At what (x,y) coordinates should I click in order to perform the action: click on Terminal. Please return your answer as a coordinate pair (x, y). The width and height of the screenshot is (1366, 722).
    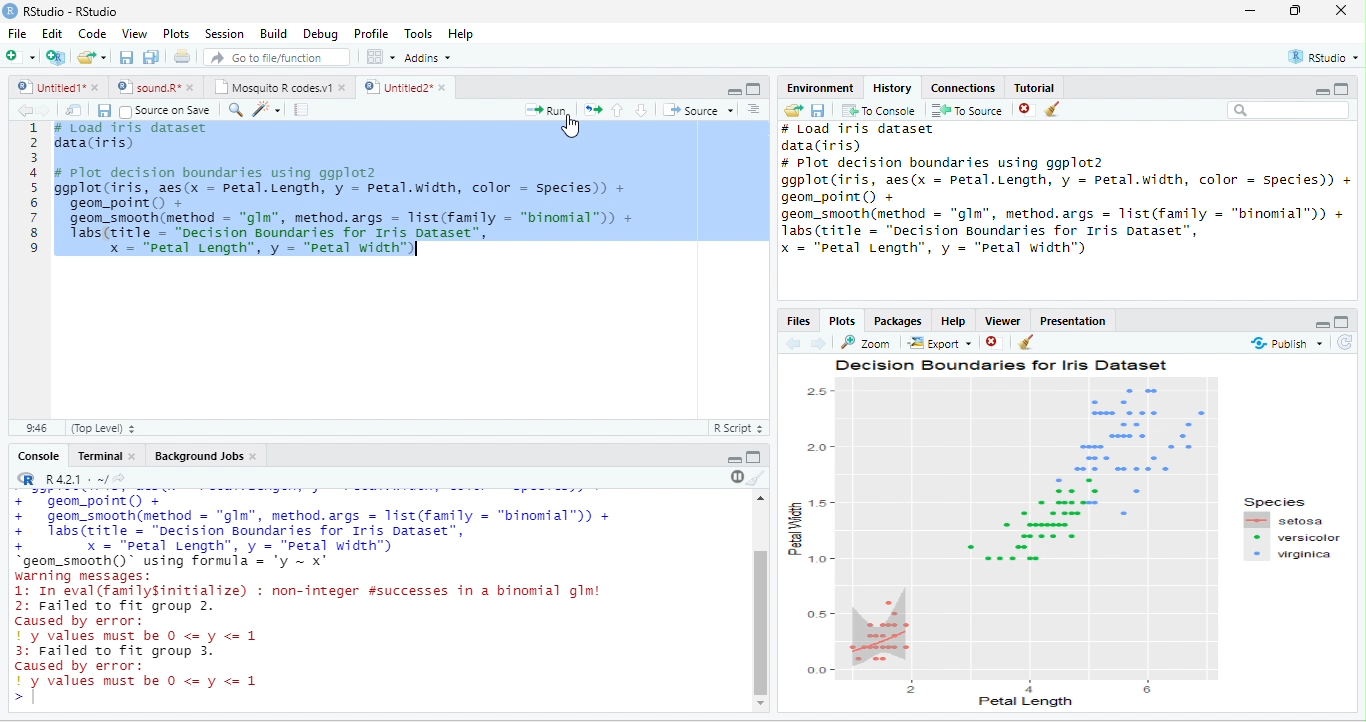
    Looking at the image, I should click on (97, 455).